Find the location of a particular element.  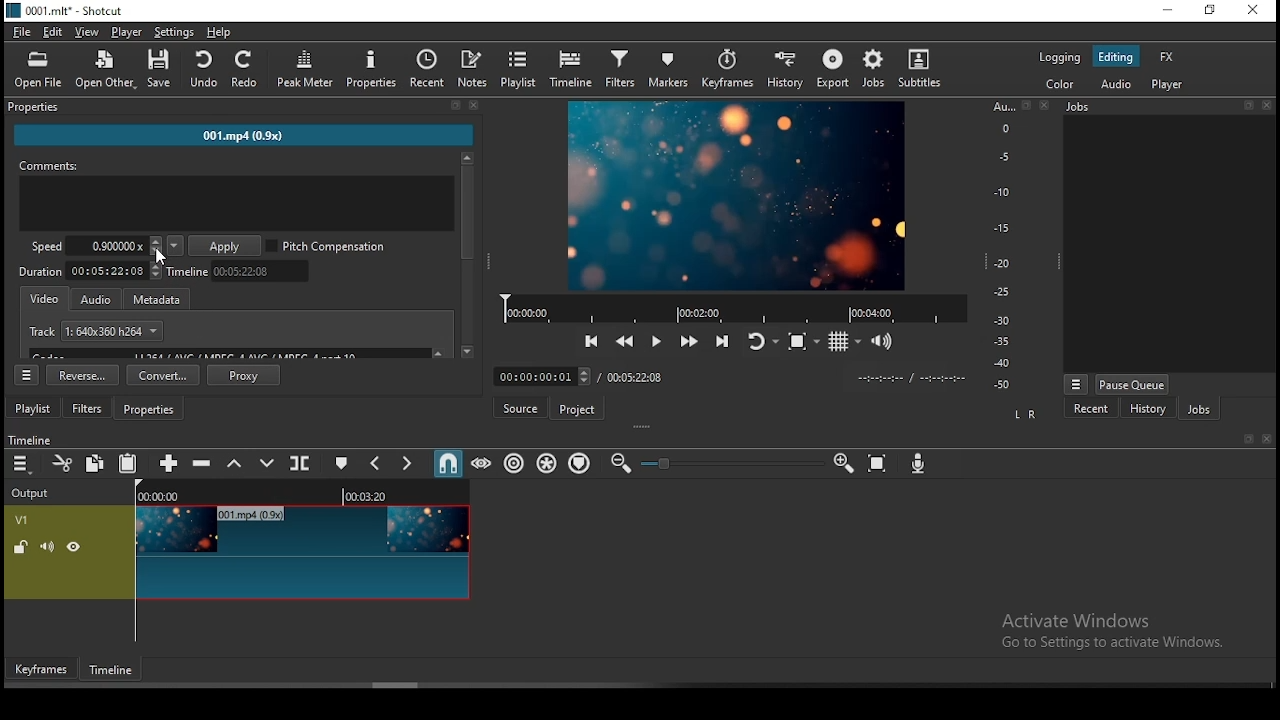

apply is located at coordinates (225, 246).